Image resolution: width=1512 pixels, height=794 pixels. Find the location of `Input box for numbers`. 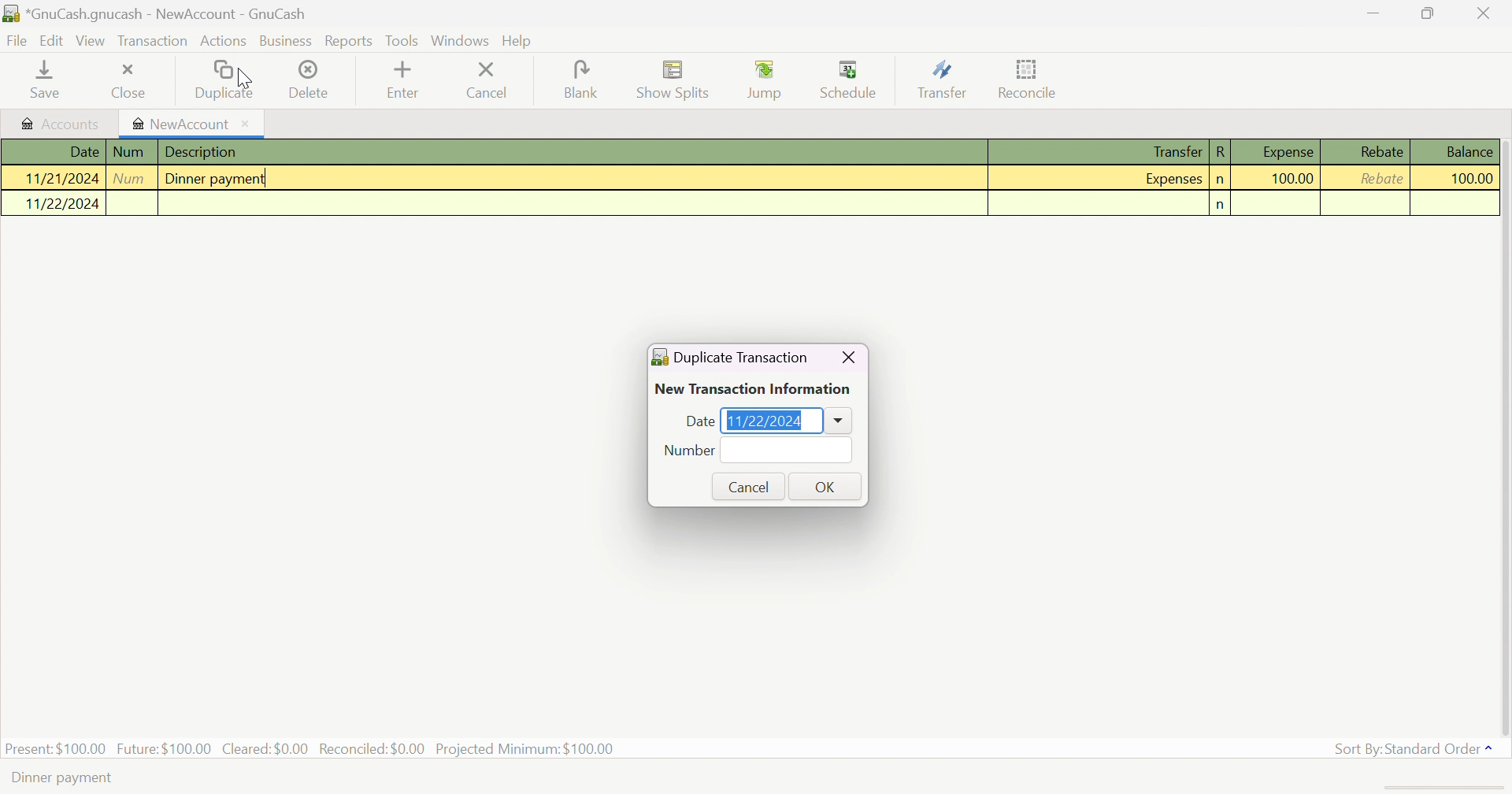

Input box for numbers is located at coordinates (787, 450).